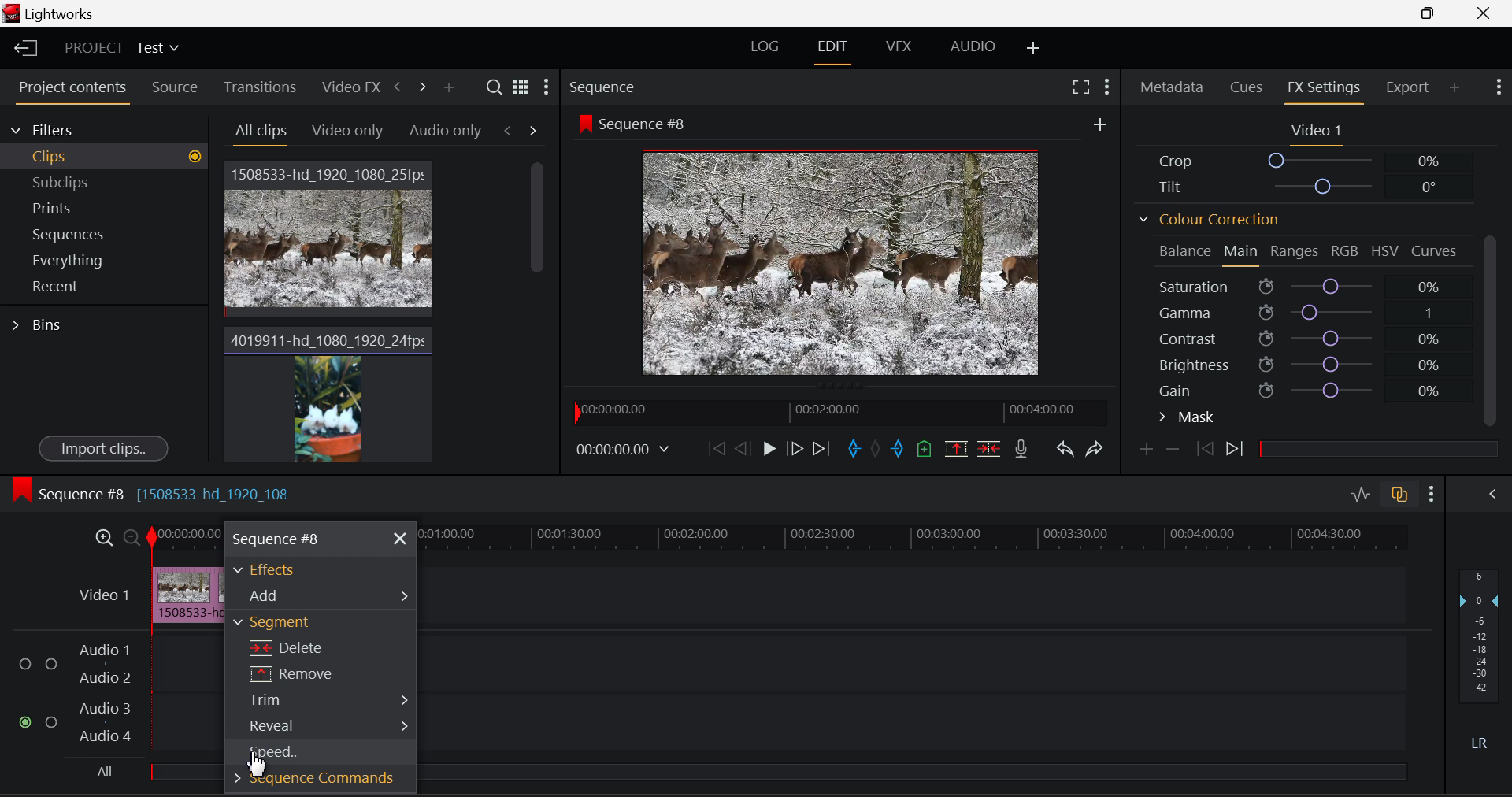 The width and height of the screenshot is (1512, 797). Describe the element at coordinates (1147, 450) in the screenshot. I see `Add Keyframe` at that location.